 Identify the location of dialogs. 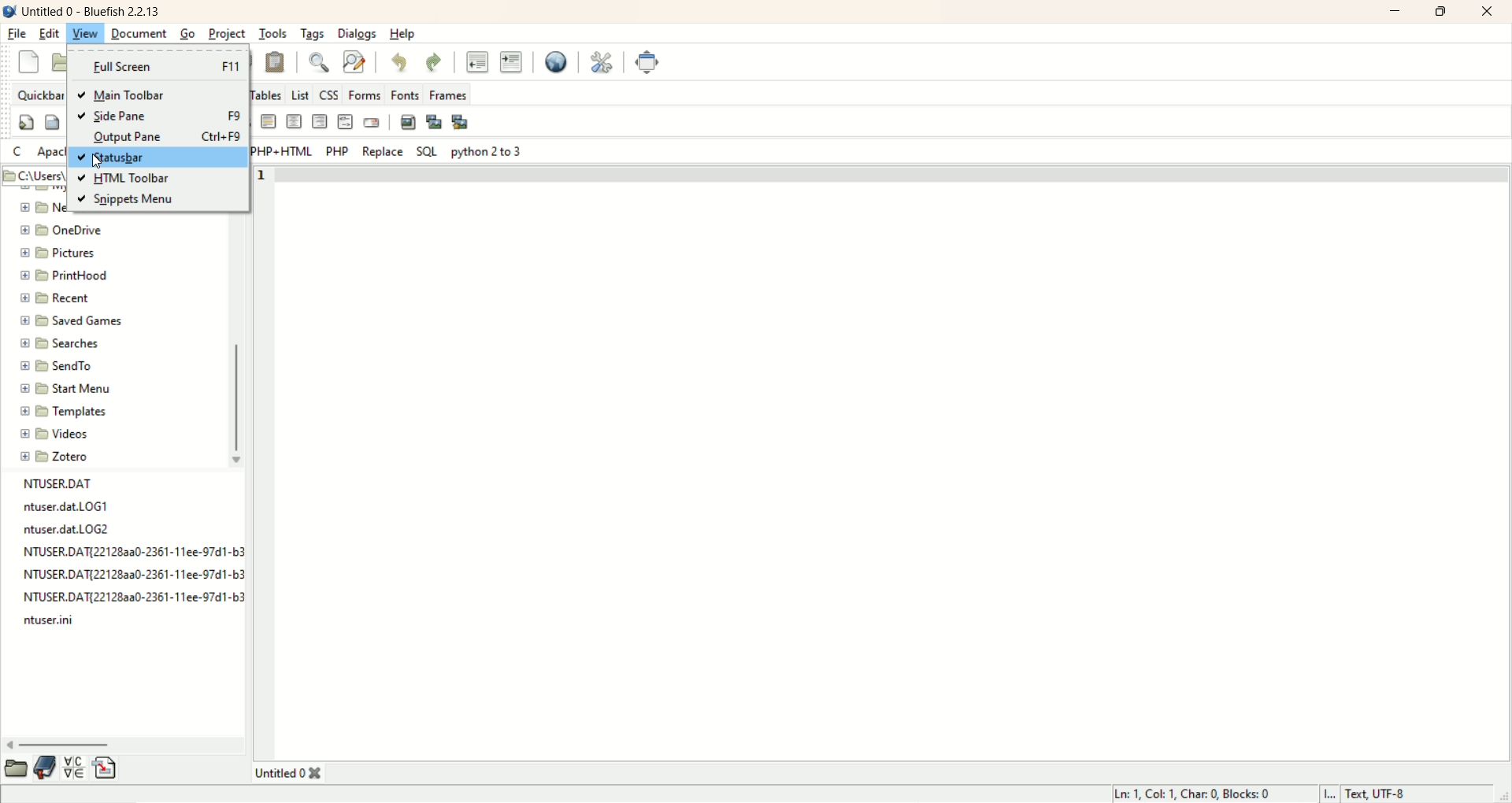
(357, 33).